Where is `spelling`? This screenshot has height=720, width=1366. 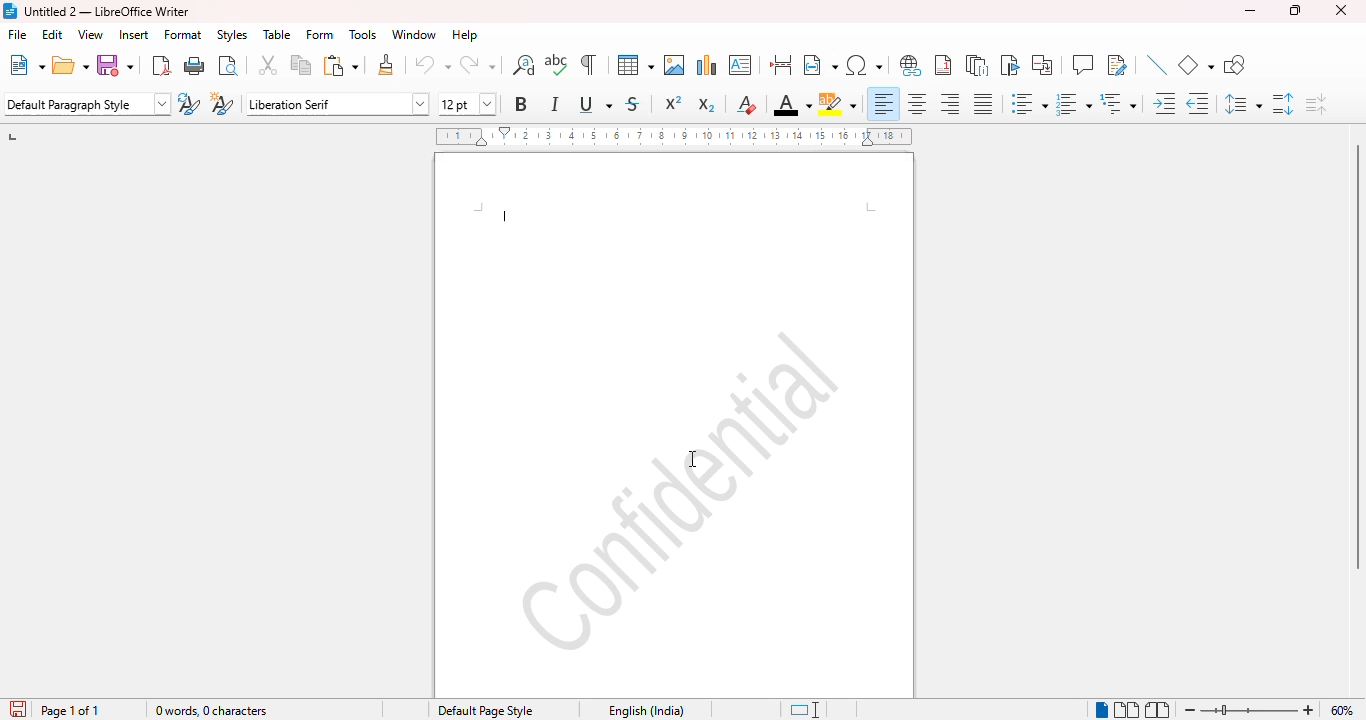
spelling is located at coordinates (557, 65).